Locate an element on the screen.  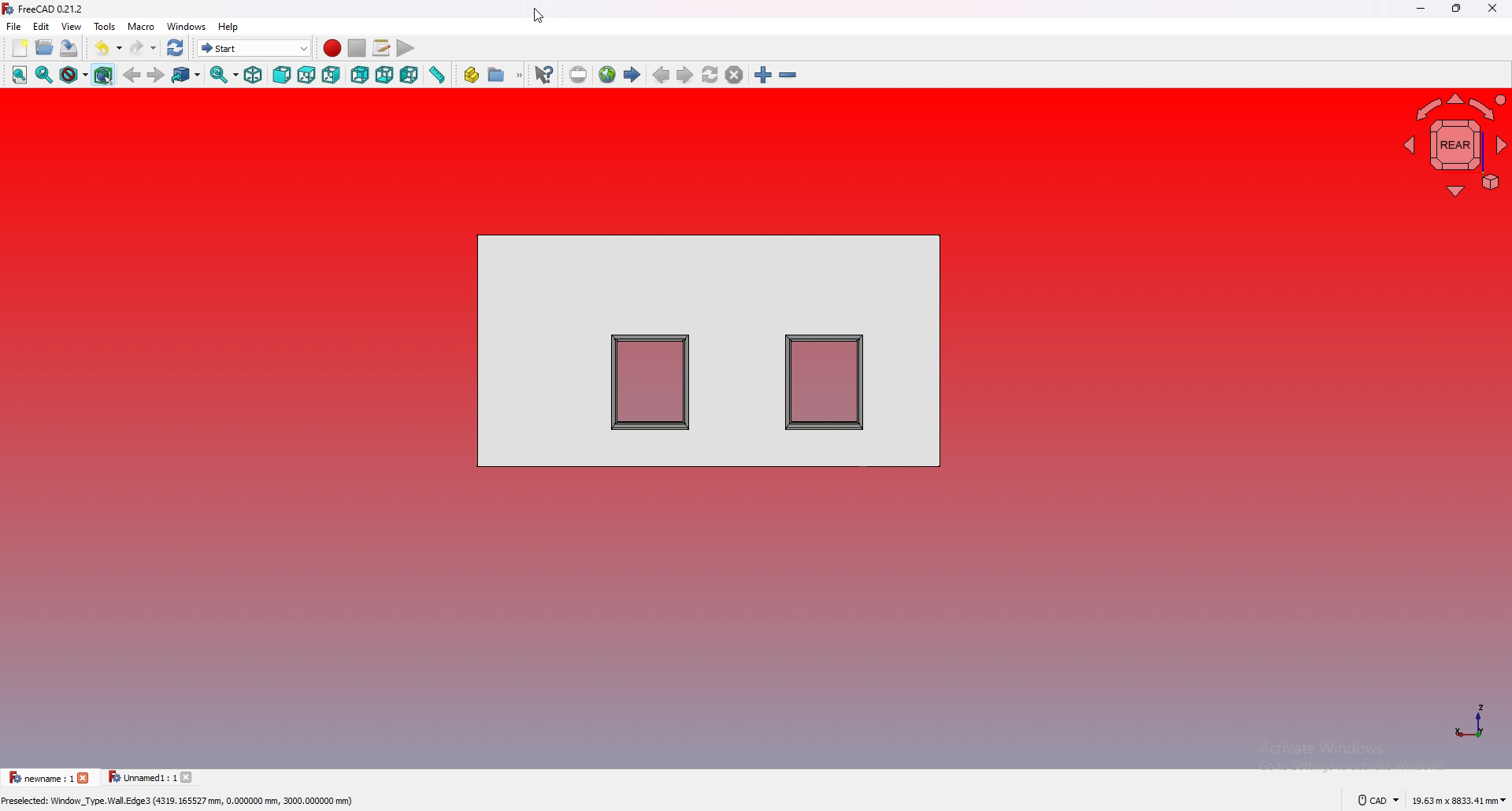
zoom in is located at coordinates (762, 75).